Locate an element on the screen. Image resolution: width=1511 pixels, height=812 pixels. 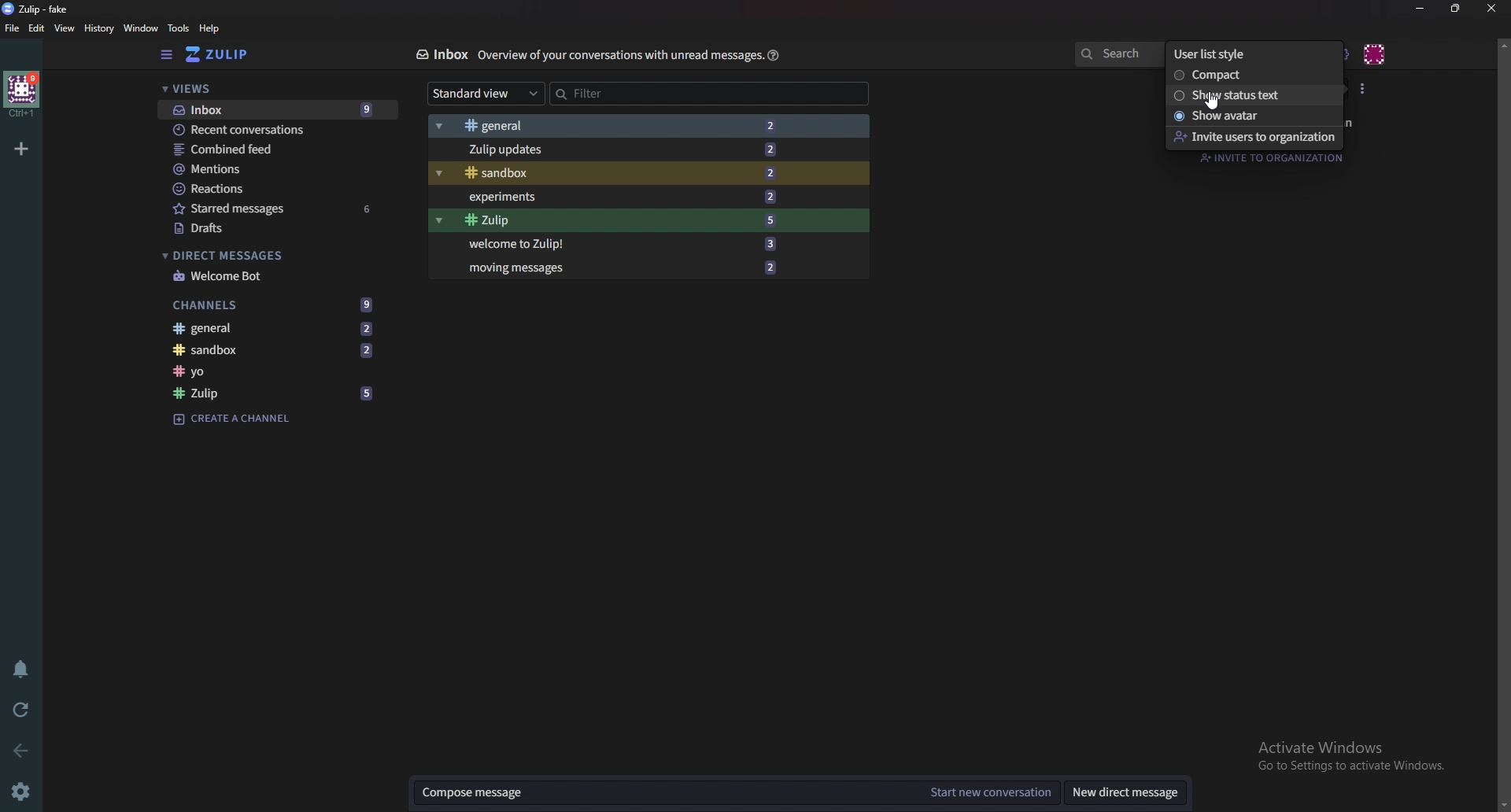
Info is located at coordinates (619, 57).